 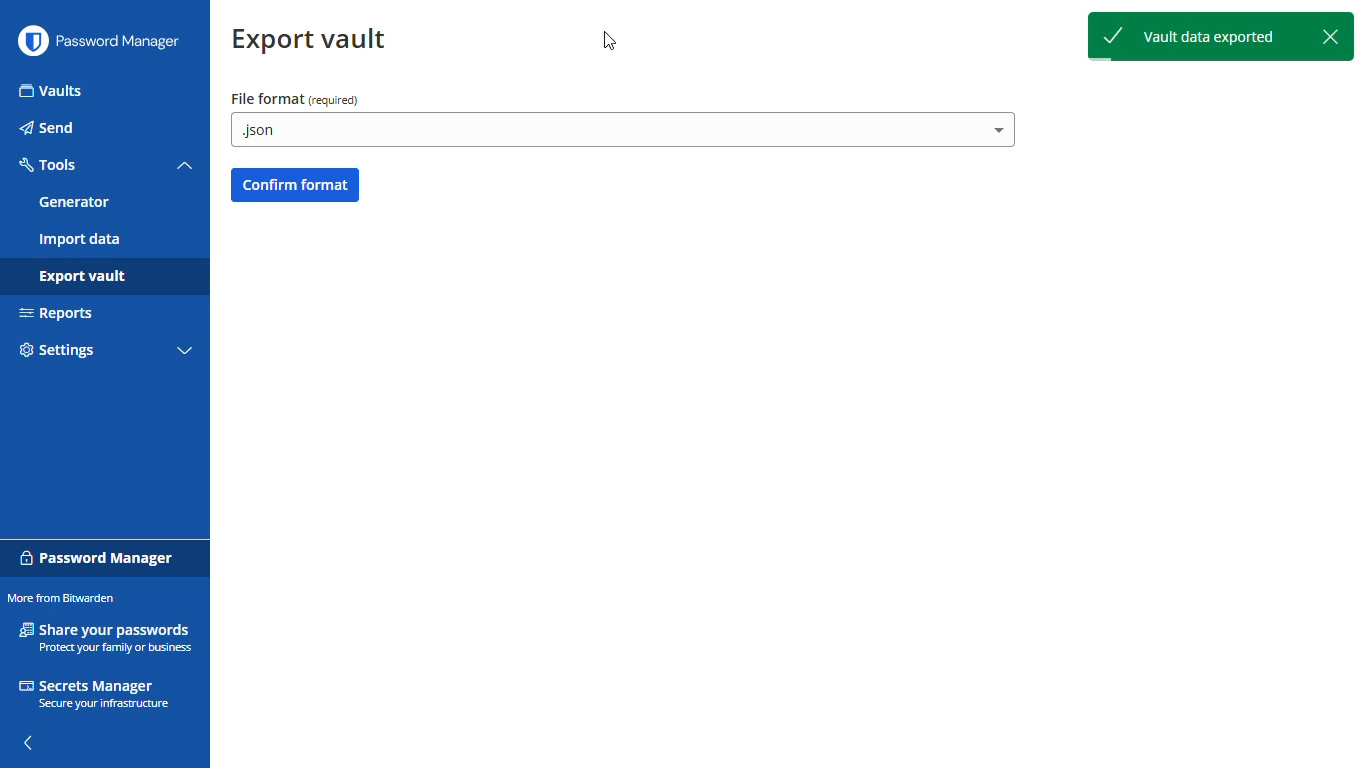 What do you see at coordinates (98, 555) in the screenshot?
I see `password manager` at bounding box center [98, 555].